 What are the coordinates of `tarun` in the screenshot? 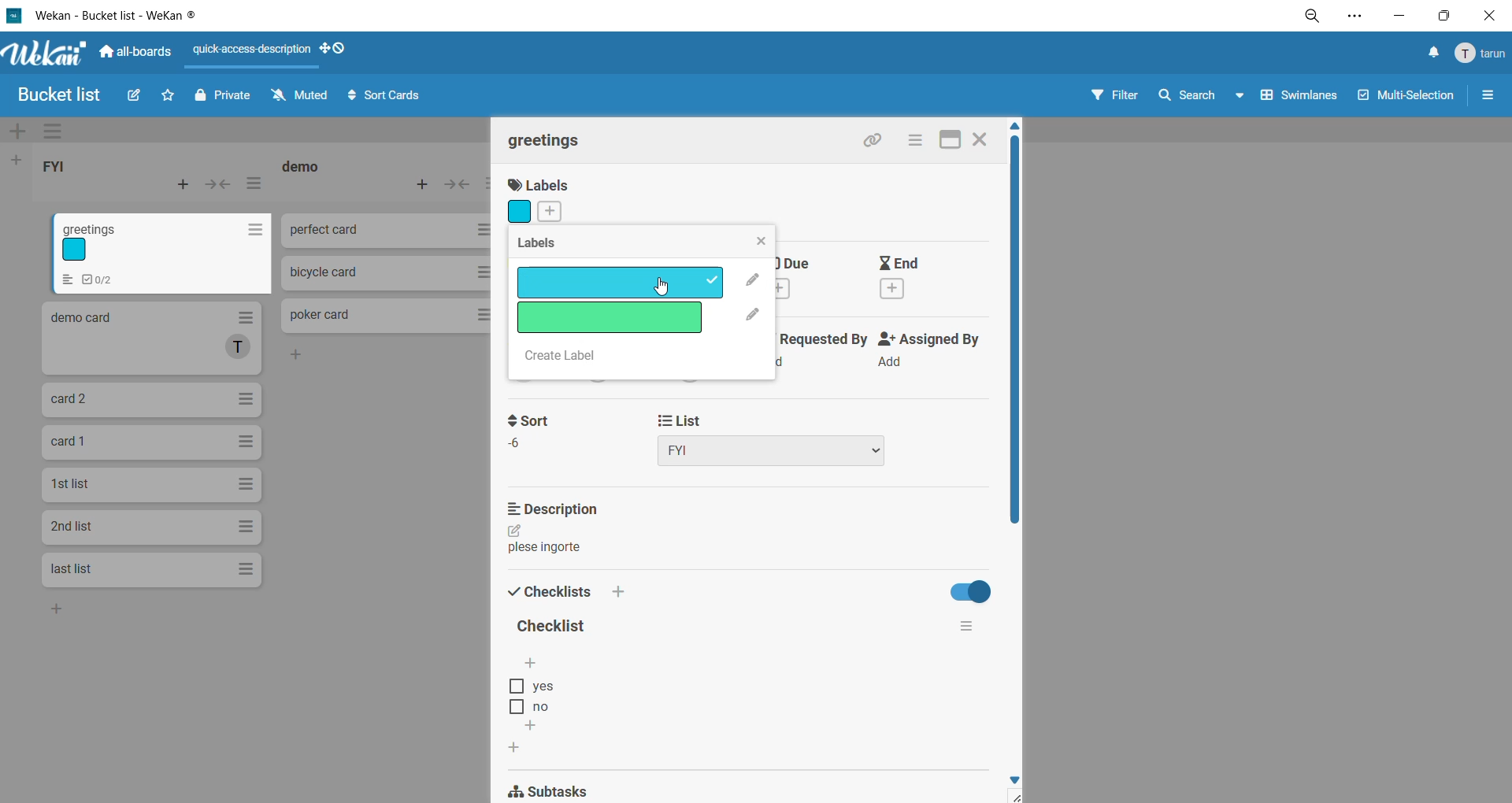 It's located at (1480, 54).